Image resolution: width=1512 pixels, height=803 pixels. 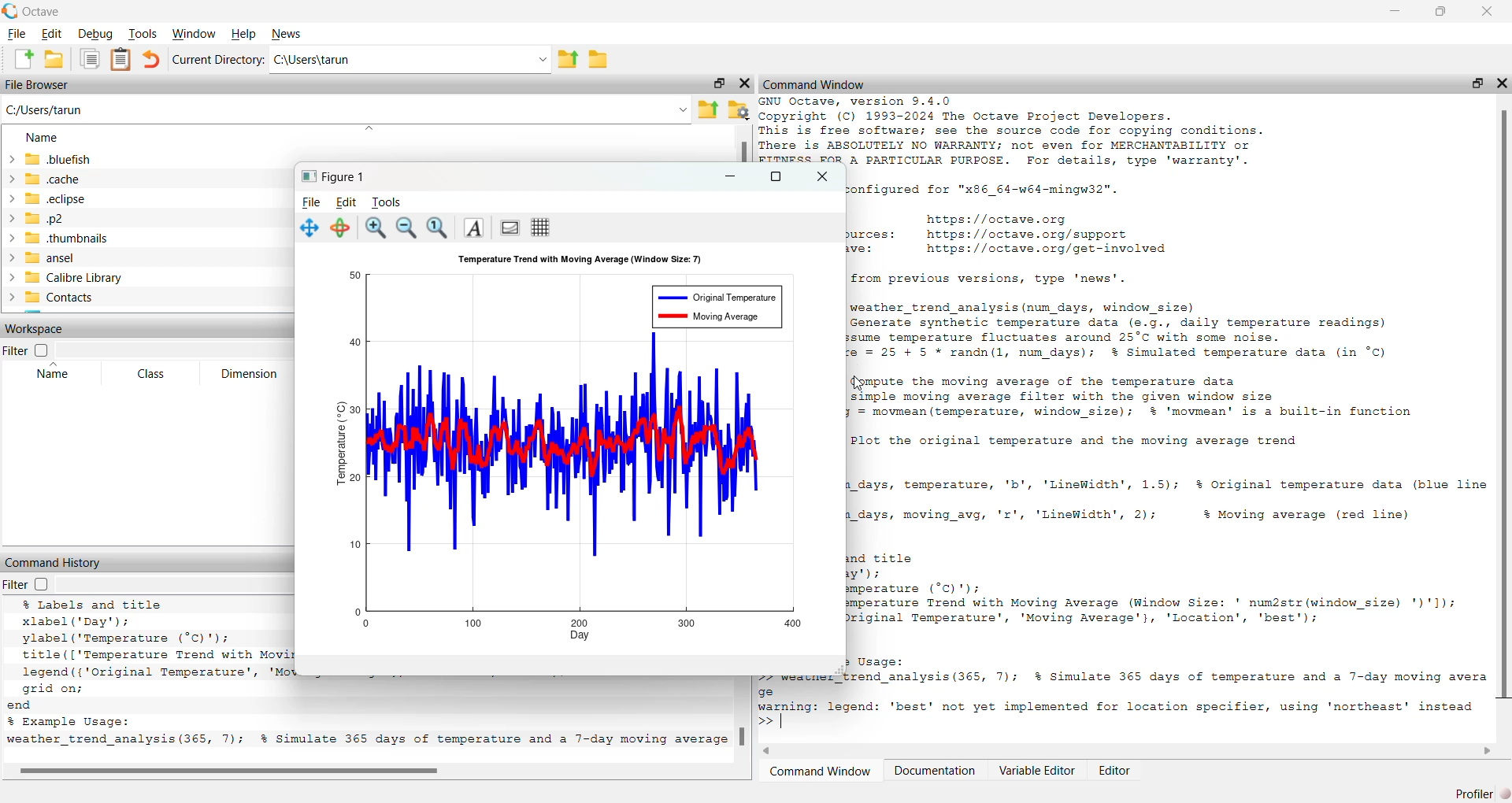 What do you see at coordinates (1478, 82) in the screenshot?
I see `Maximize` at bounding box center [1478, 82].